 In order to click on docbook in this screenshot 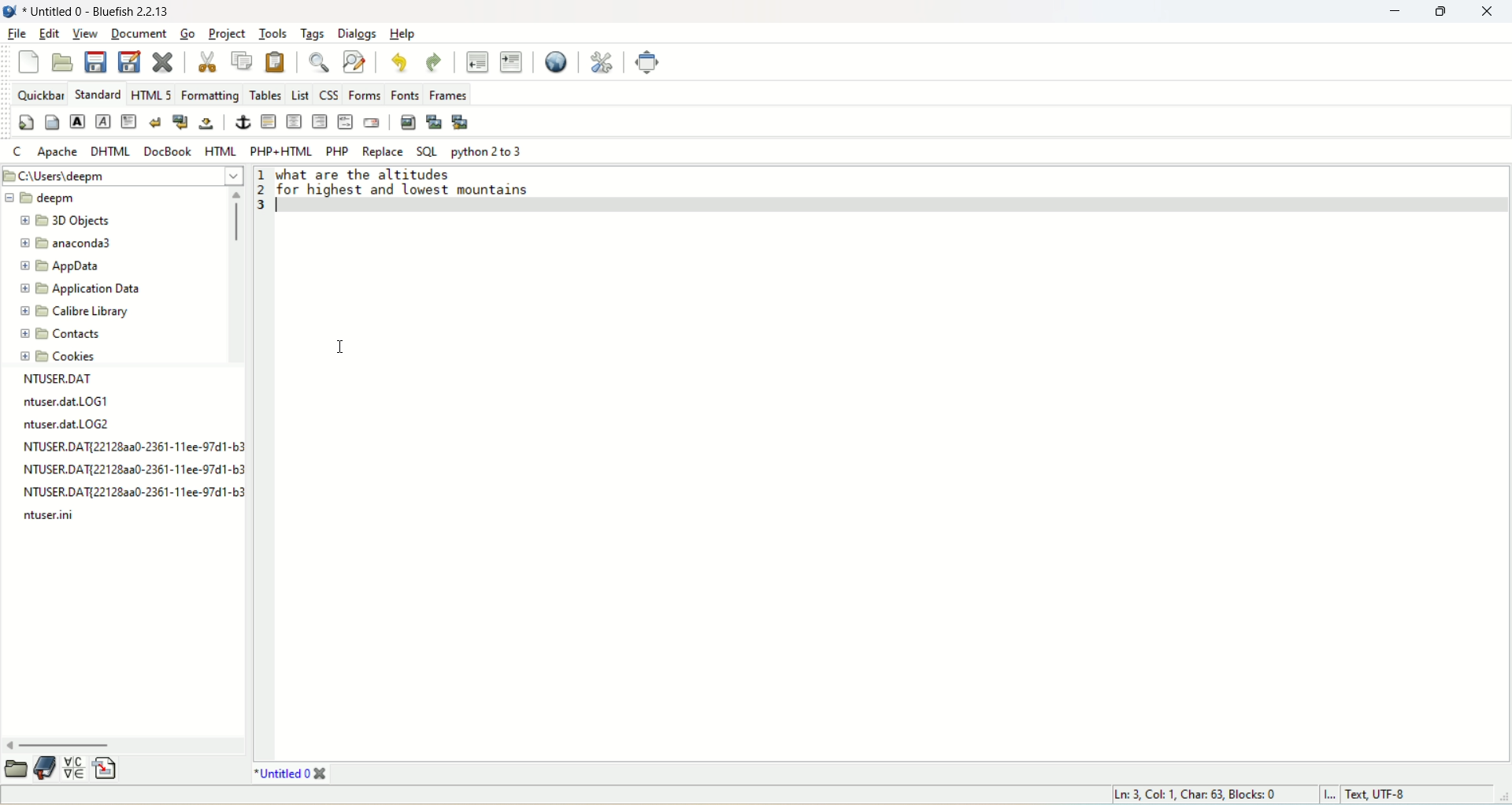, I will do `click(167, 153)`.